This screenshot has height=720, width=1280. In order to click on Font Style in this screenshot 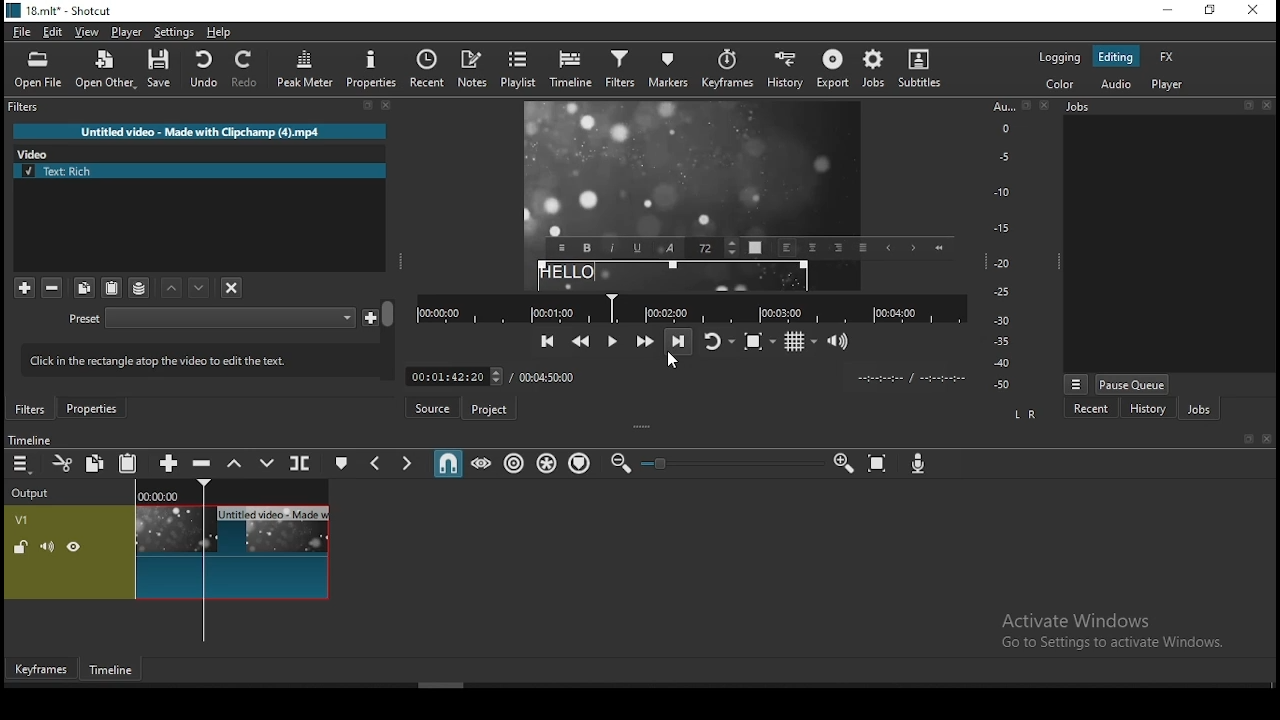, I will do `click(670, 248)`.